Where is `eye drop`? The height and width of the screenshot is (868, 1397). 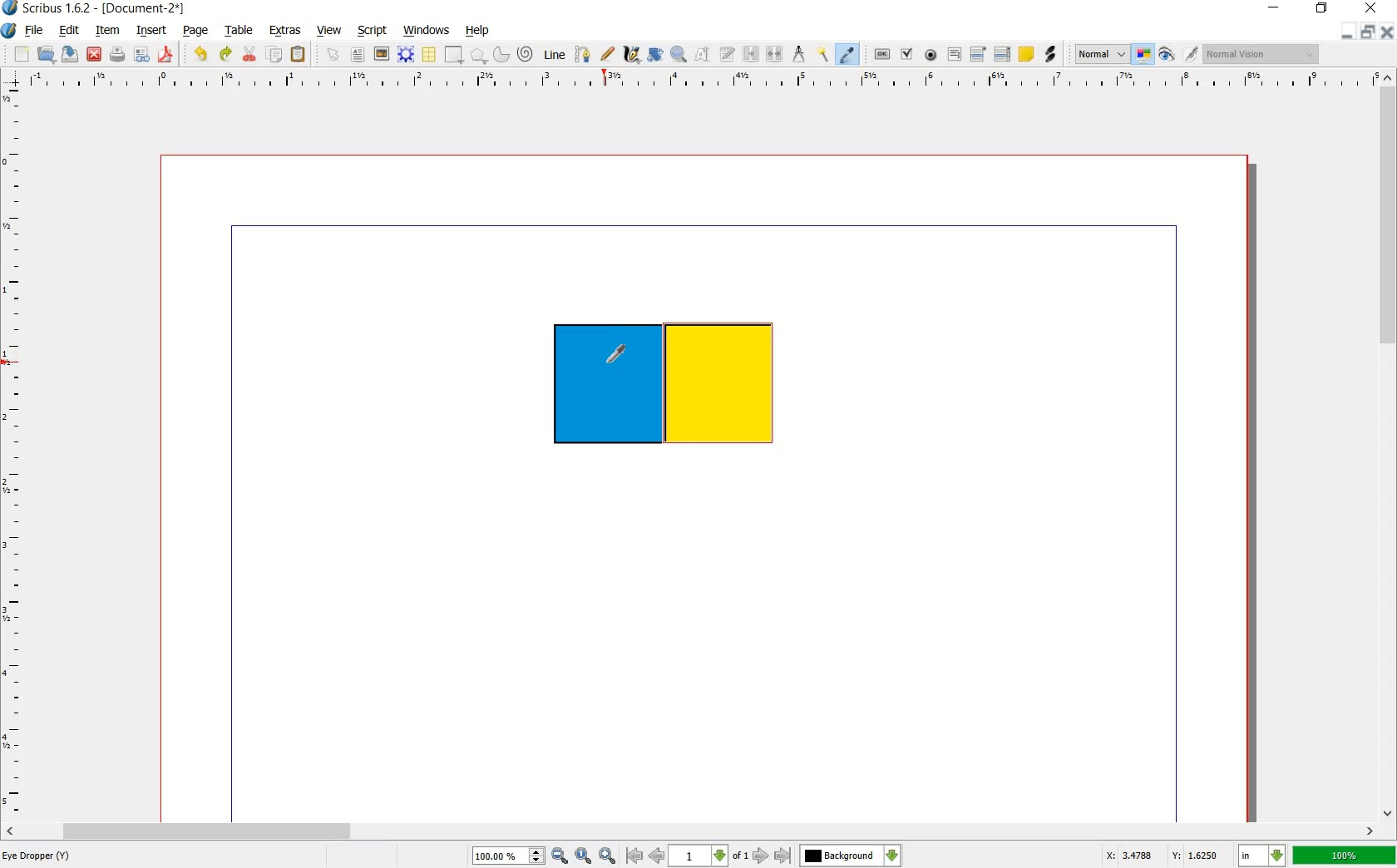
eye drop is located at coordinates (847, 53).